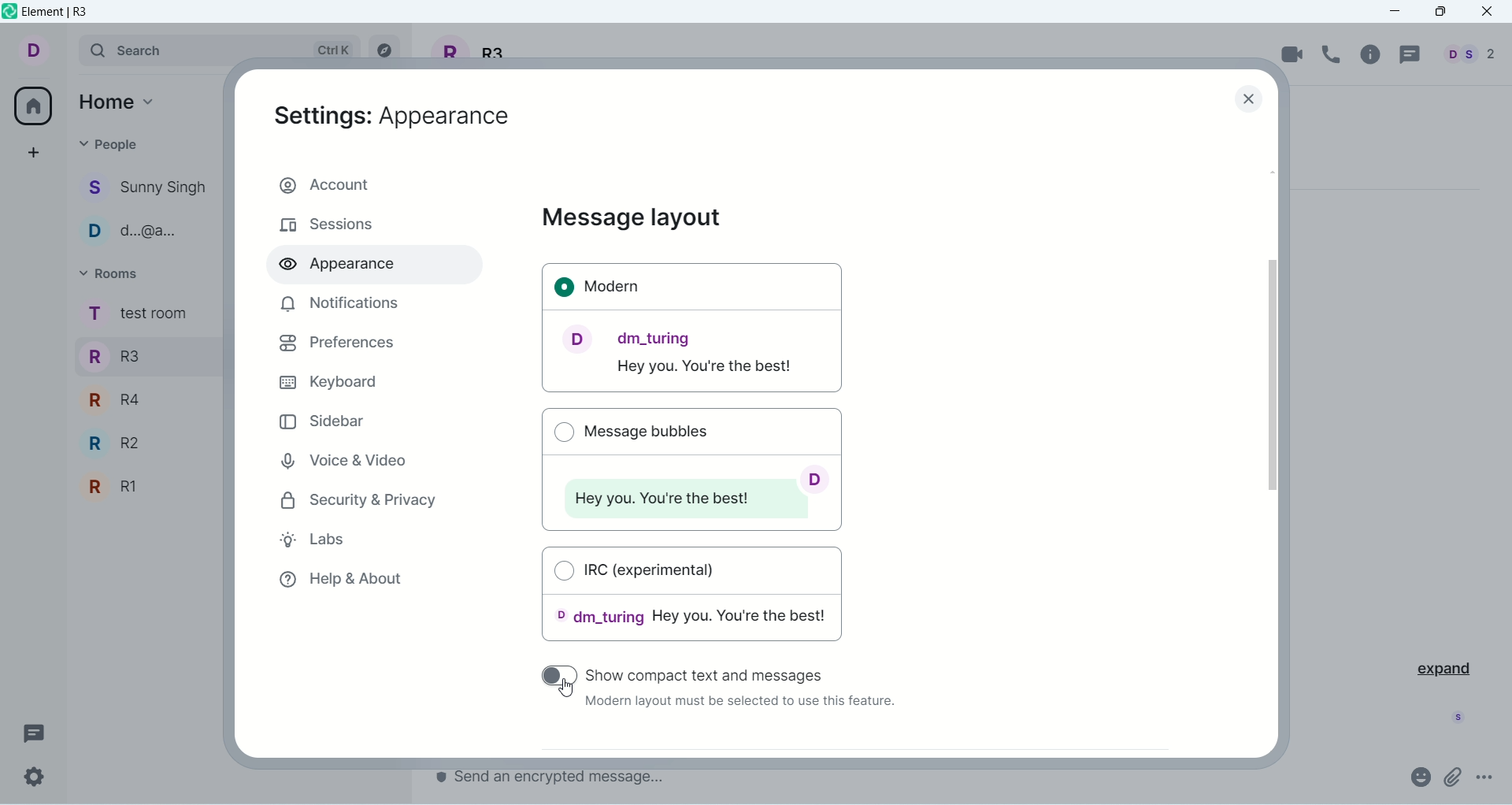 The image size is (1512, 805). Describe the element at coordinates (34, 152) in the screenshot. I see `create a space` at that location.